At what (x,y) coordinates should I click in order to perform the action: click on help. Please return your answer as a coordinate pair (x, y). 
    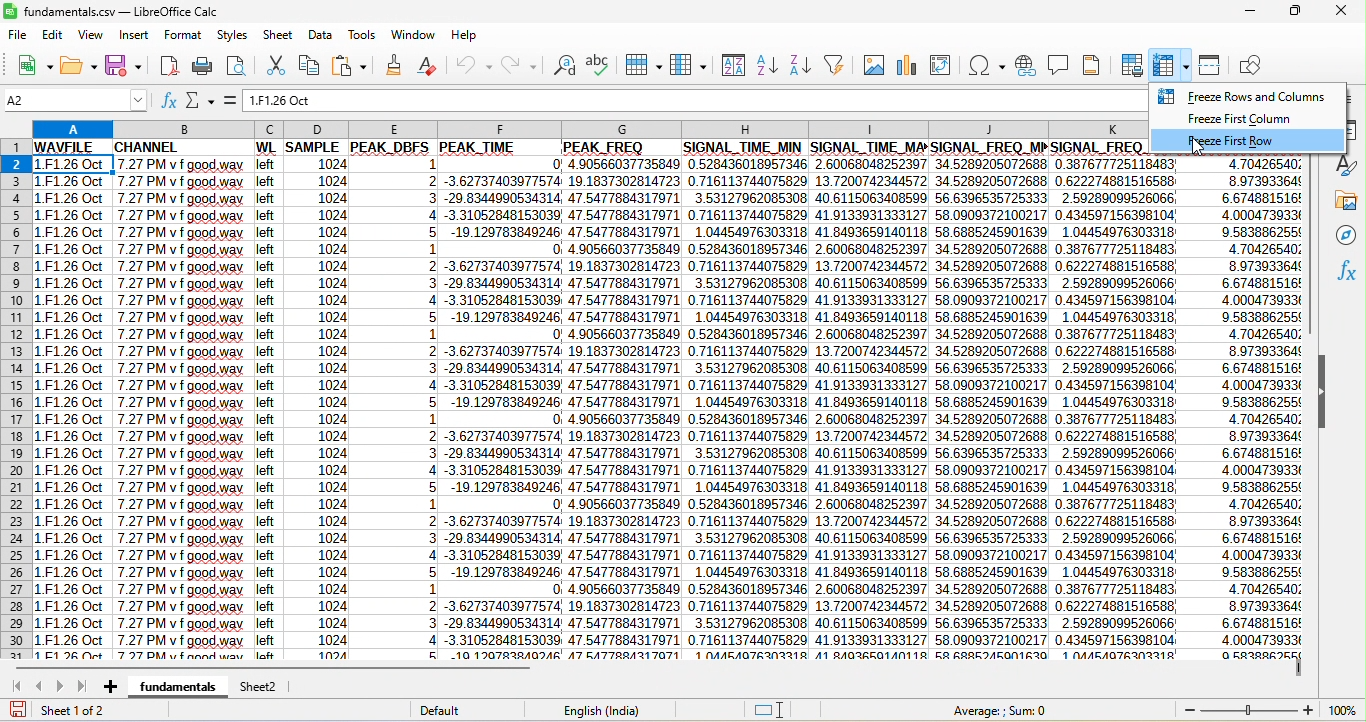
    Looking at the image, I should click on (462, 32).